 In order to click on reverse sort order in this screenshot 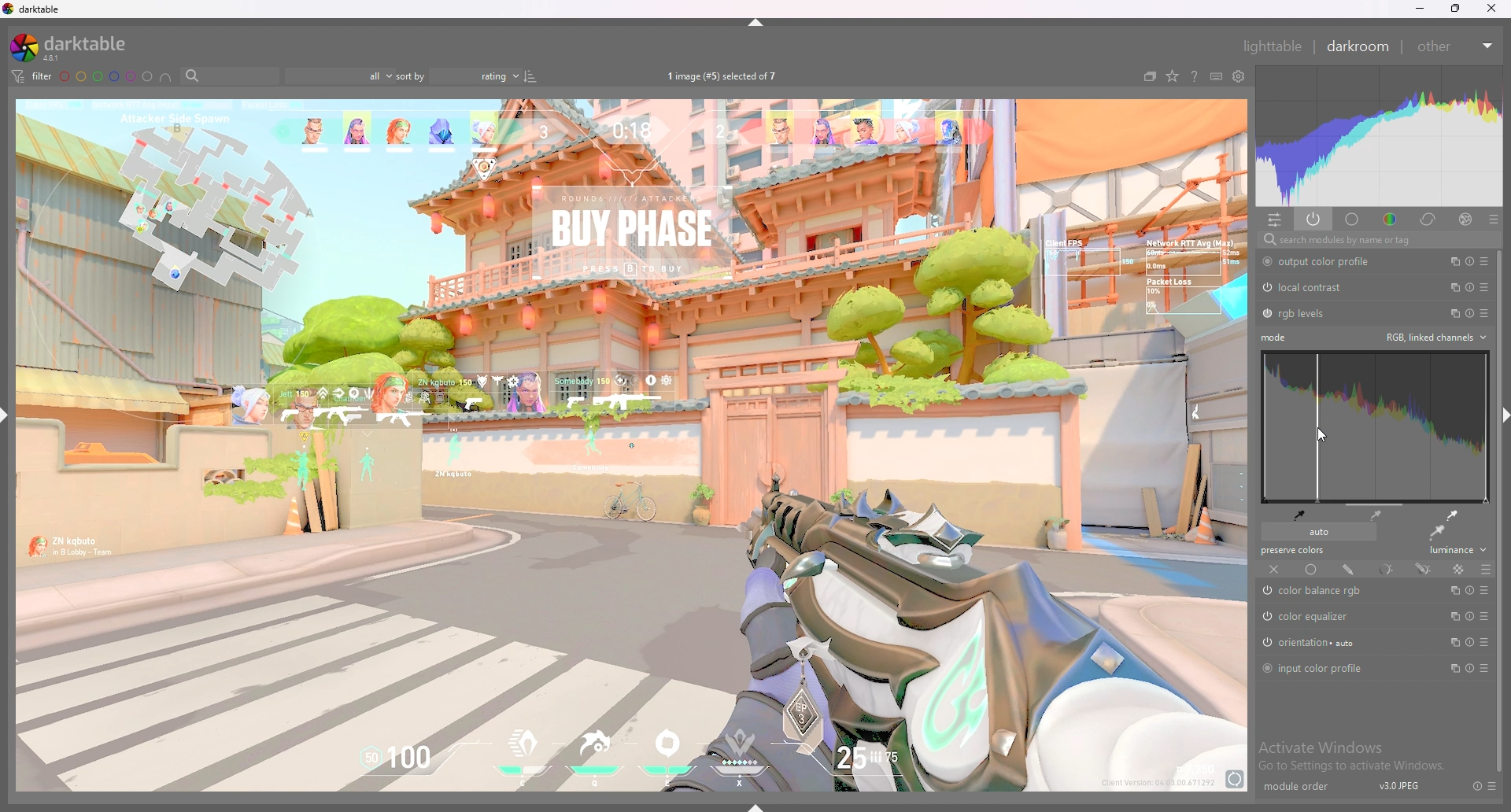, I will do `click(530, 76)`.